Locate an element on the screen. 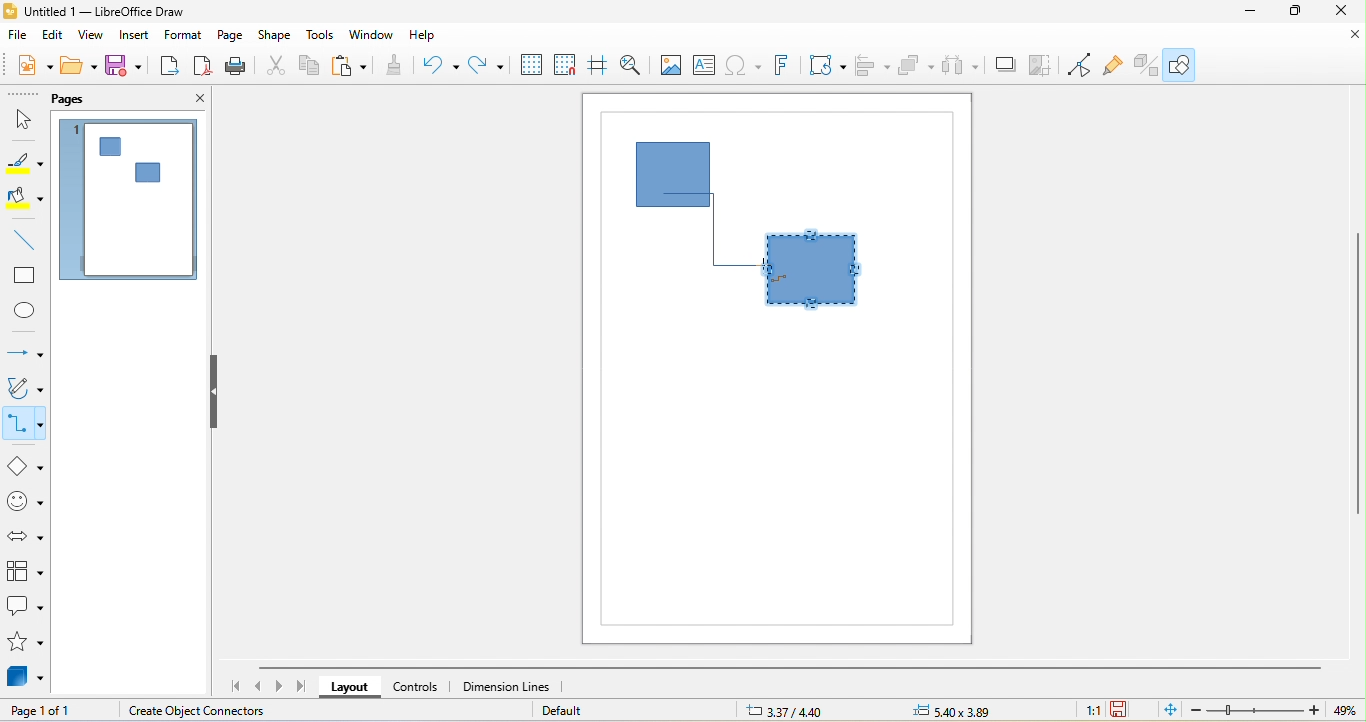 The image size is (1366, 722). snap to grid is located at coordinates (570, 65).